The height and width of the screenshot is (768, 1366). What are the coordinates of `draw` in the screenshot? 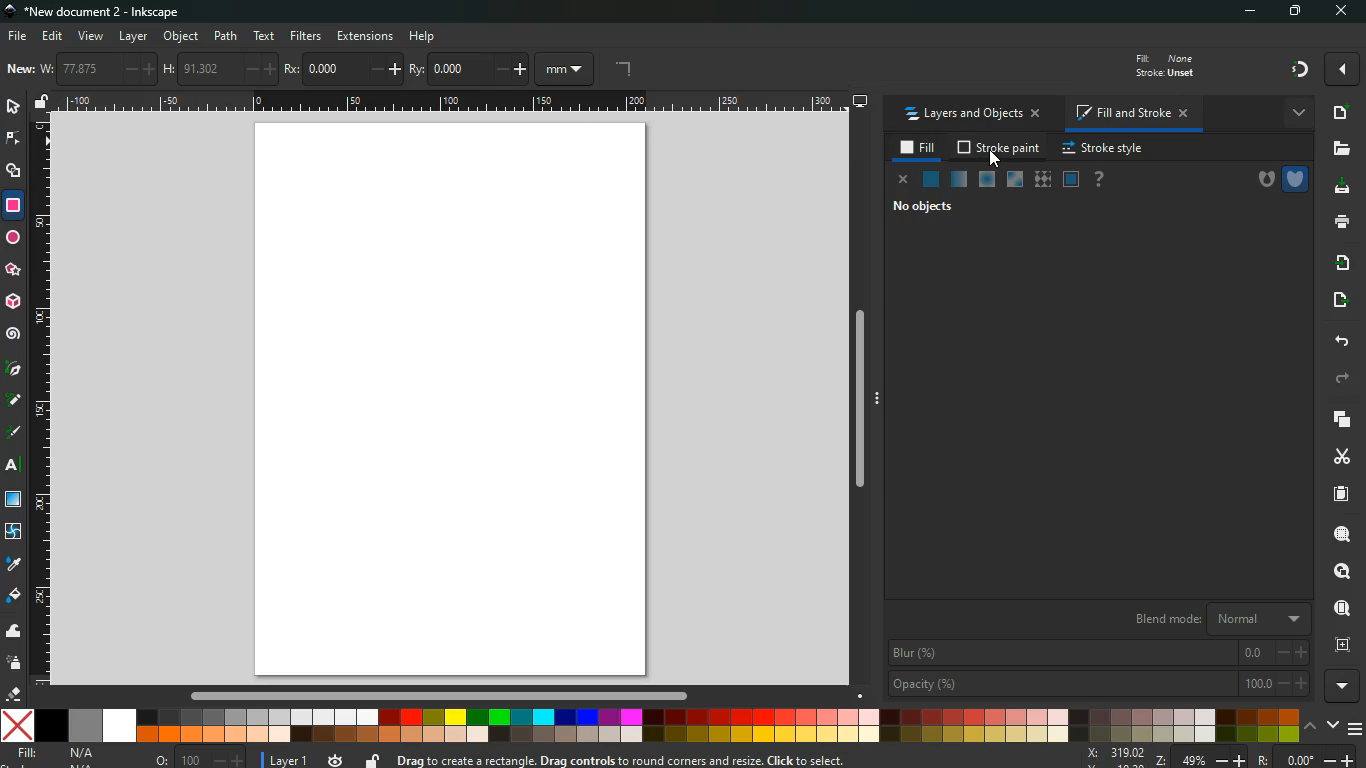 It's located at (14, 433).